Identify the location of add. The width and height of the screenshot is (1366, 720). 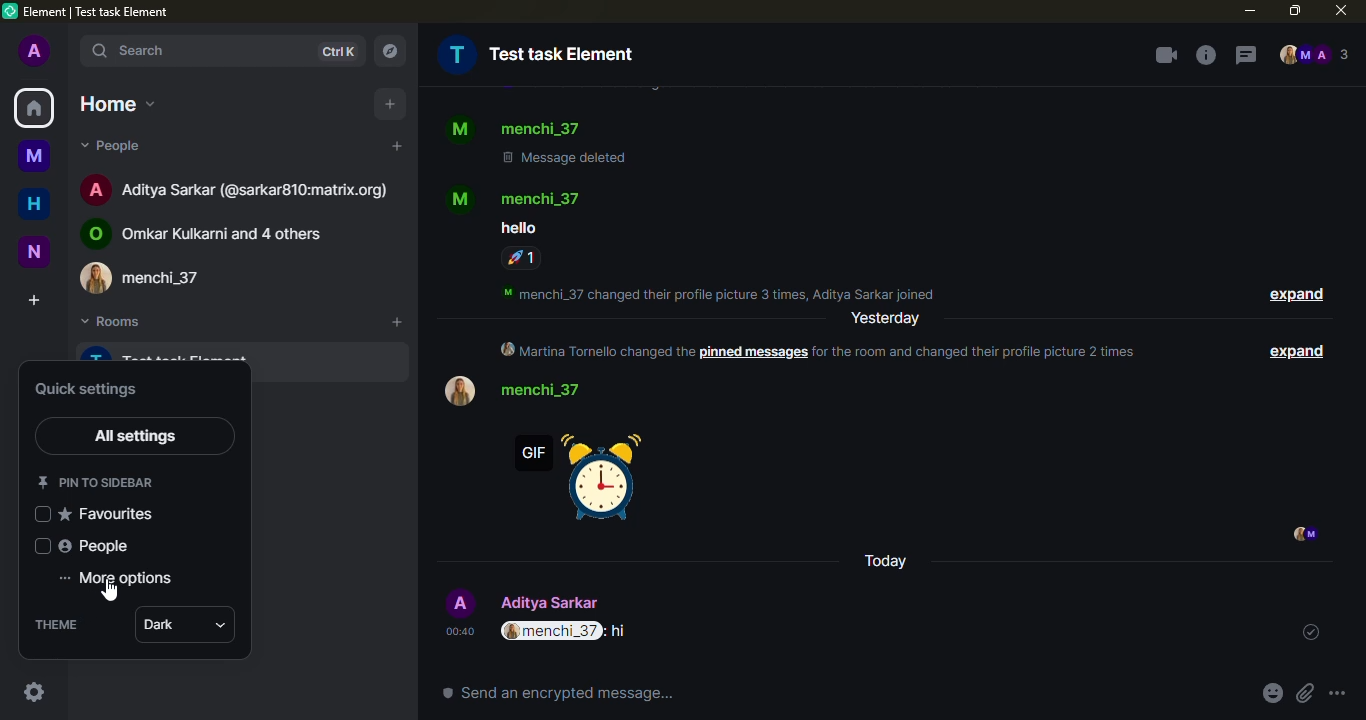
(398, 322).